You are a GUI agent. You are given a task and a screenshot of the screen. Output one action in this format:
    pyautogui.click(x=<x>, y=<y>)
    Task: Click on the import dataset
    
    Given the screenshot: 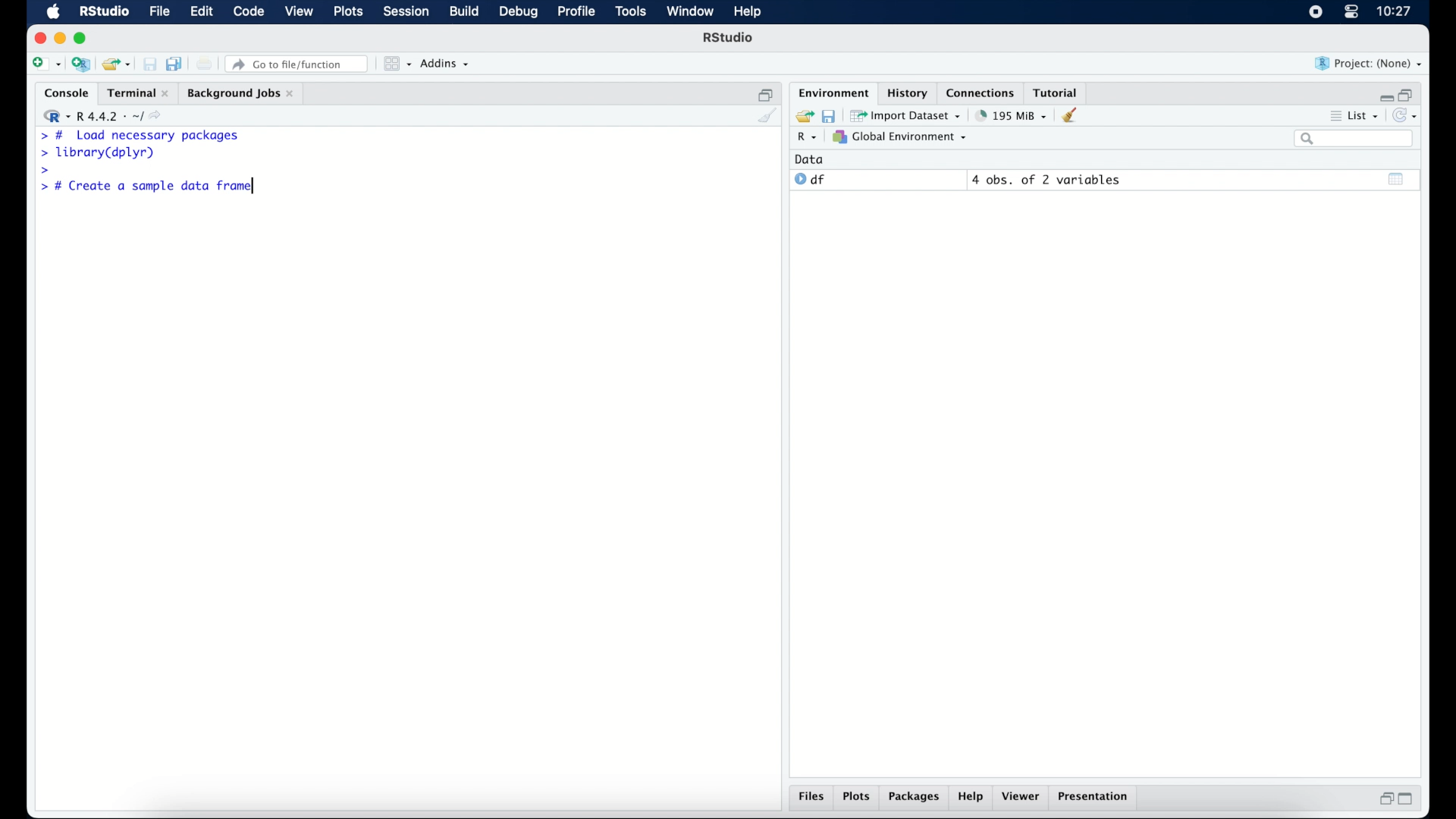 What is the action you would take?
    pyautogui.click(x=907, y=115)
    